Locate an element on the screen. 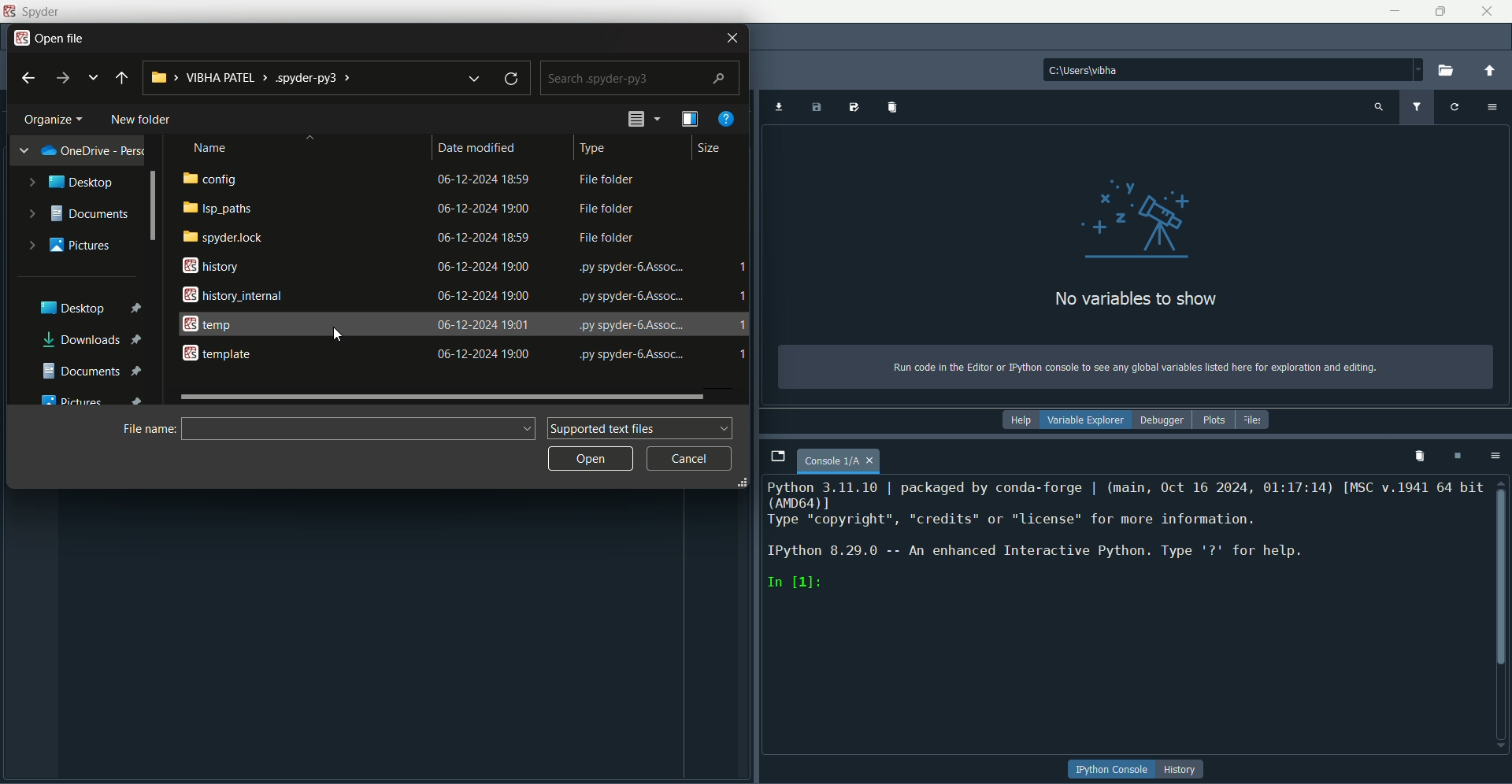 The width and height of the screenshot is (1512, 784). 1 is located at coordinates (743, 357).